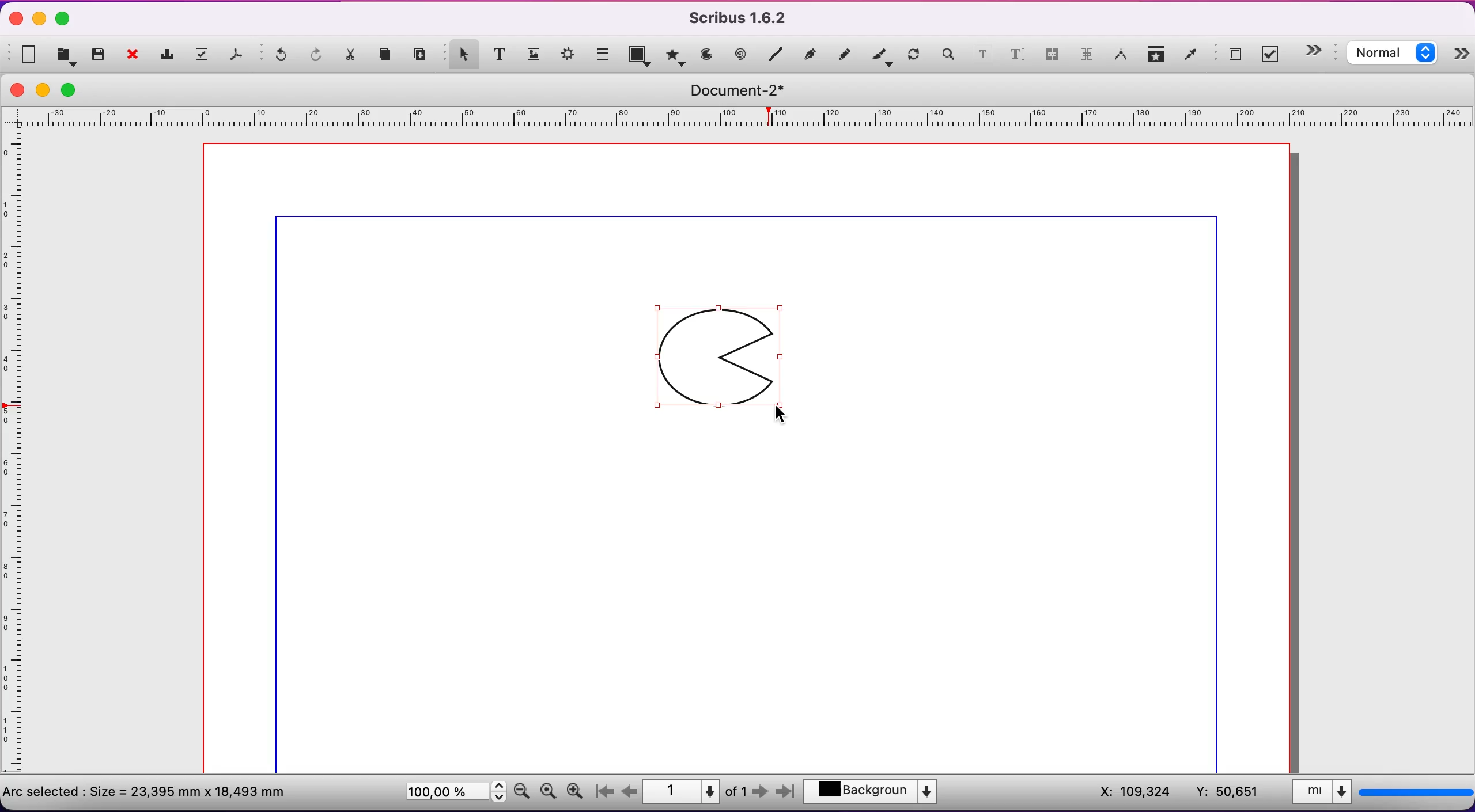  What do you see at coordinates (154, 790) in the screenshot?
I see `arc selectes size` at bounding box center [154, 790].